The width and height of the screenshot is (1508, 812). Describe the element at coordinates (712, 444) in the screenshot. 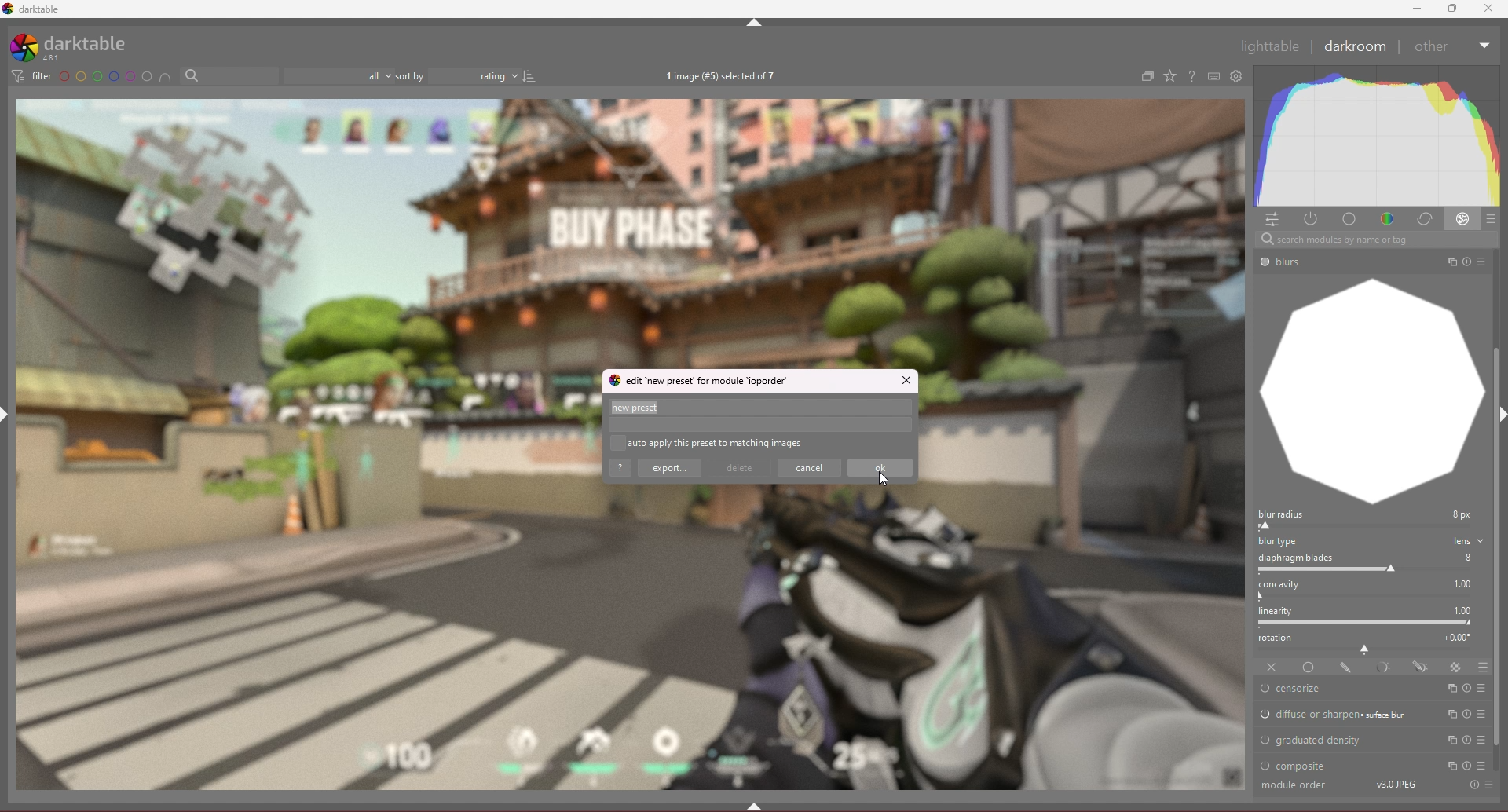

I see `auto apply` at that location.